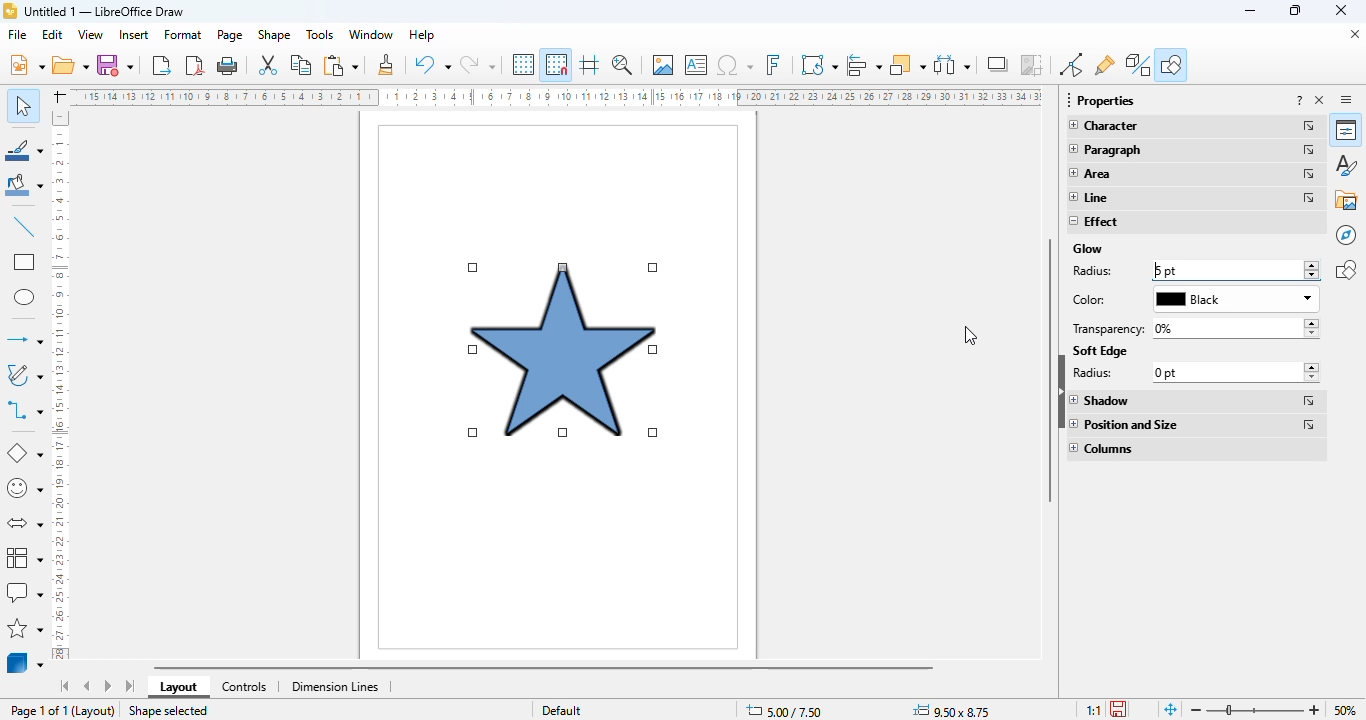 This screenshot has height=720, width=1366. Describe the element at coordinates (24, 412) in the screenshot. I see `connector` at that location.